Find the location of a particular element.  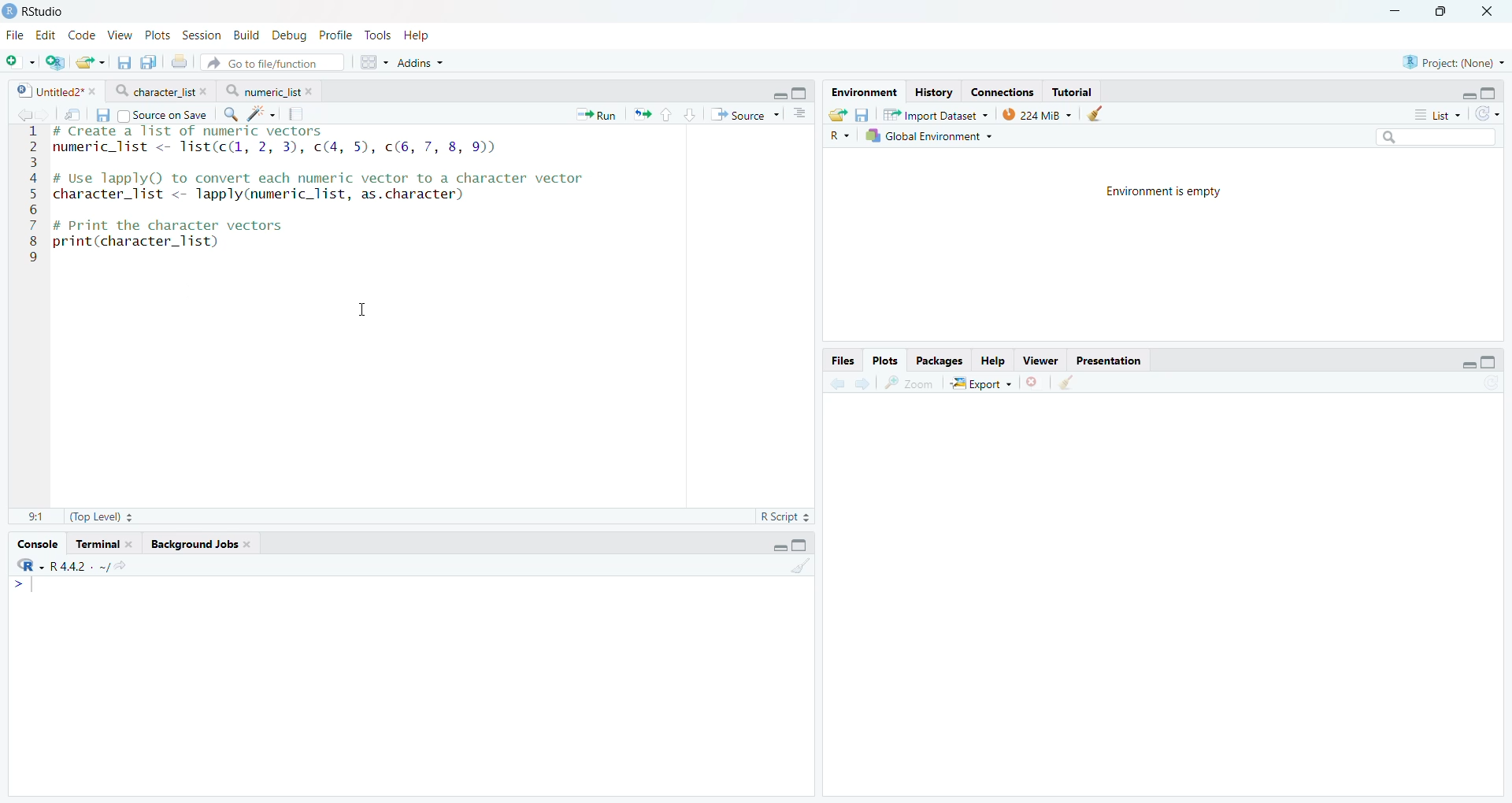

RStudio is located at coordinates (35, 11).